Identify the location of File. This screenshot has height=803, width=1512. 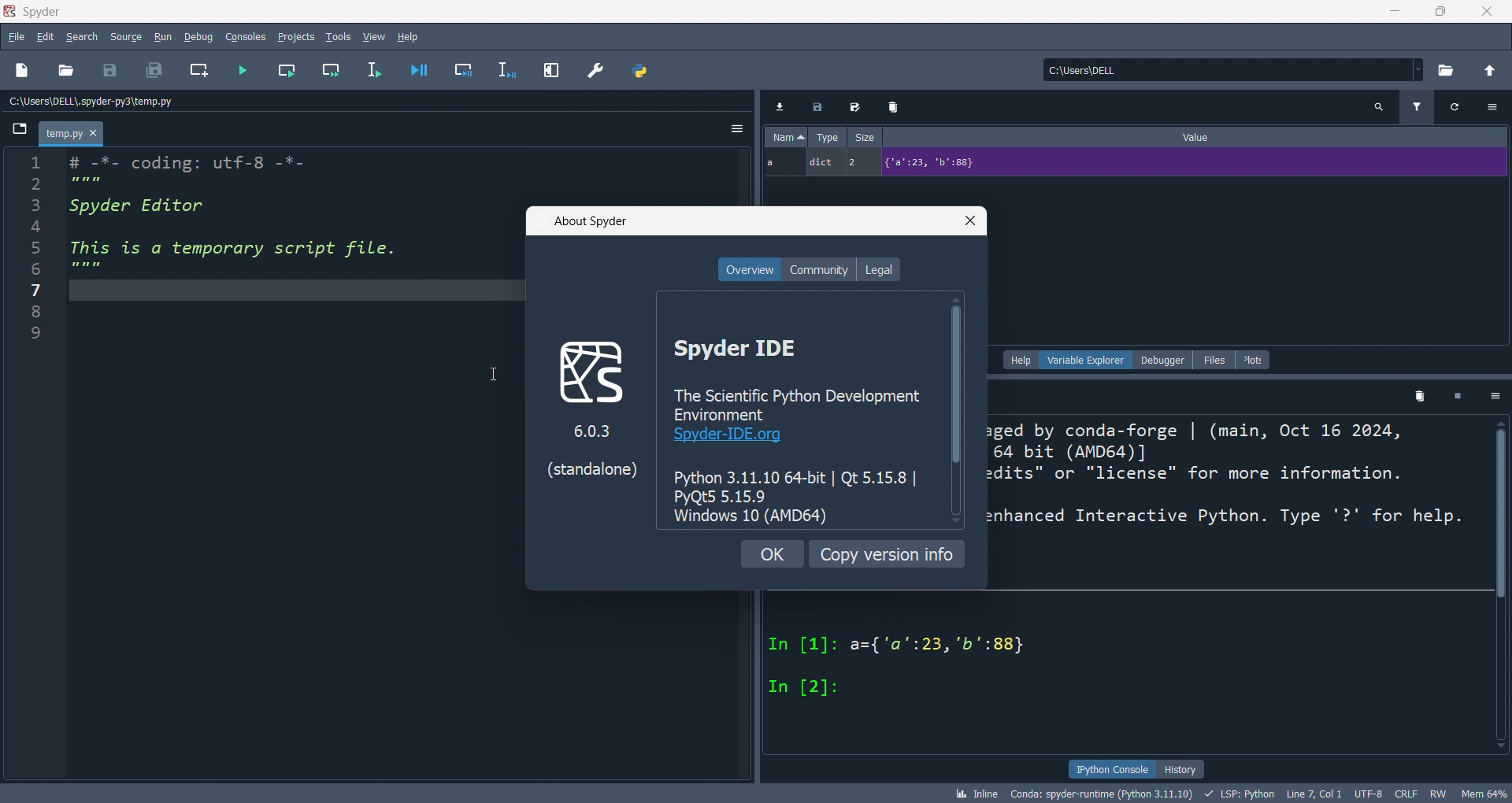
(19, 128).